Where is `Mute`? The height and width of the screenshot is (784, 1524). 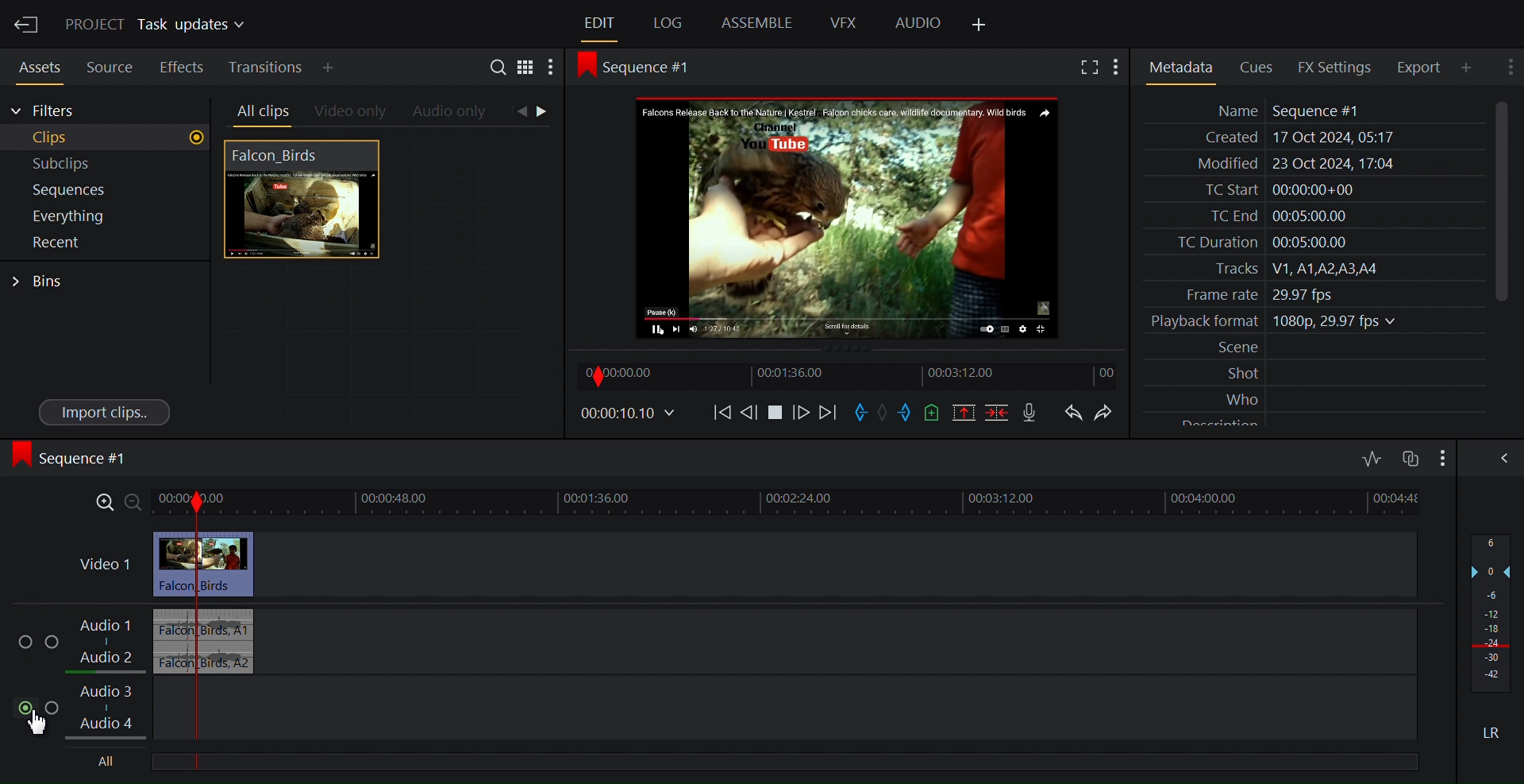 Mute is located at coordinates (1493, 732).